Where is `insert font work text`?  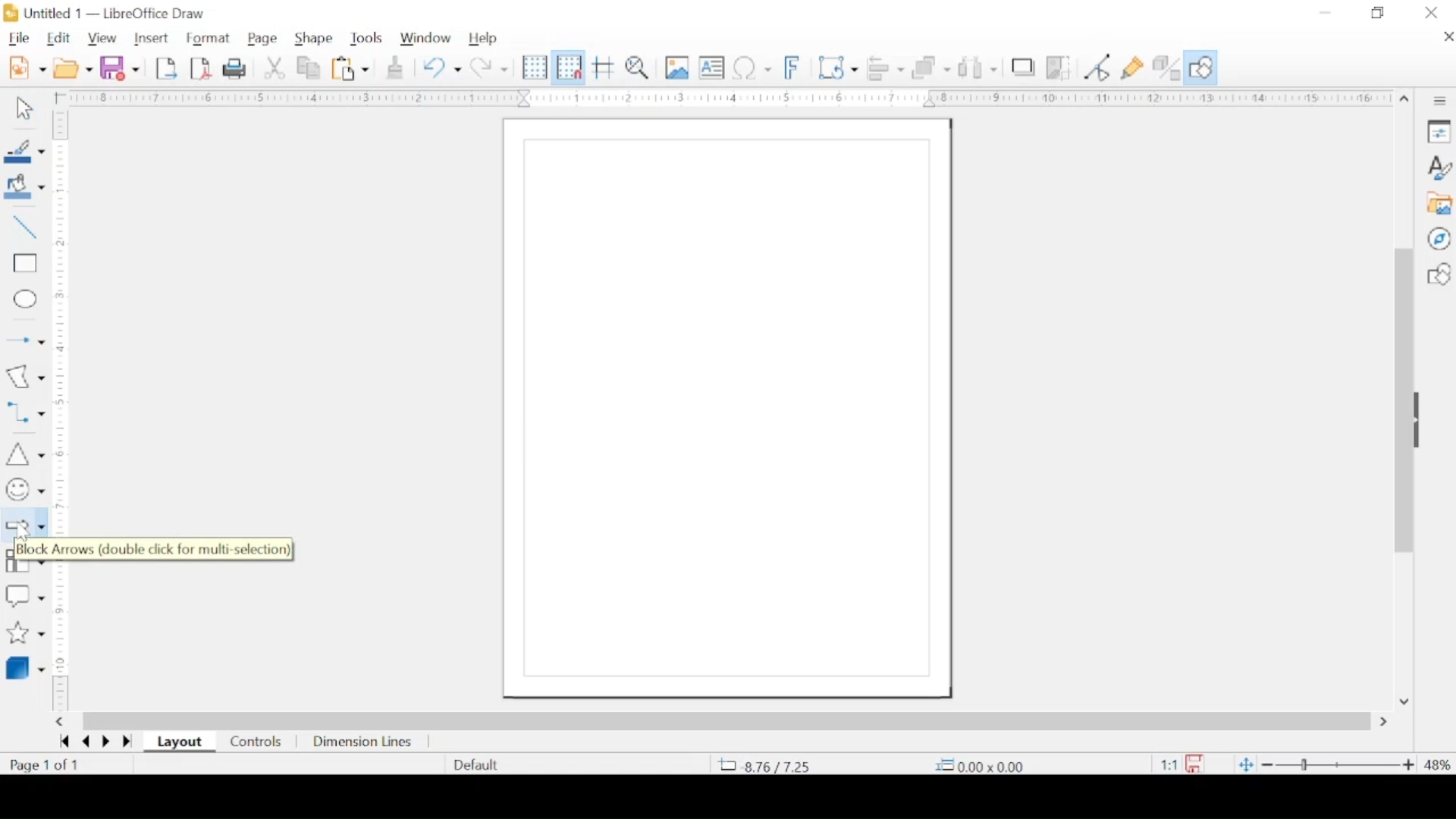 insert font work text is located at coordinates (792, 67).